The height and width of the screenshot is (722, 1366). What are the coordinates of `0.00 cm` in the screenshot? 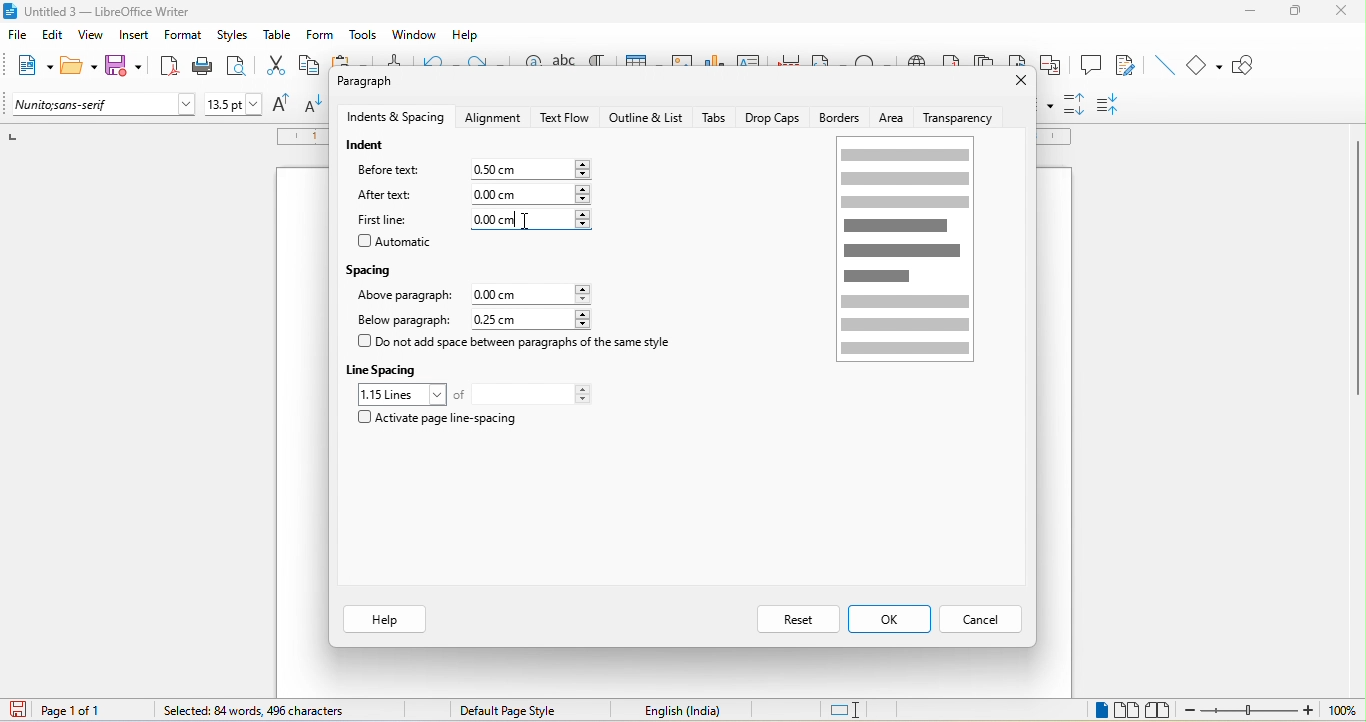 It's located at (519, 195).